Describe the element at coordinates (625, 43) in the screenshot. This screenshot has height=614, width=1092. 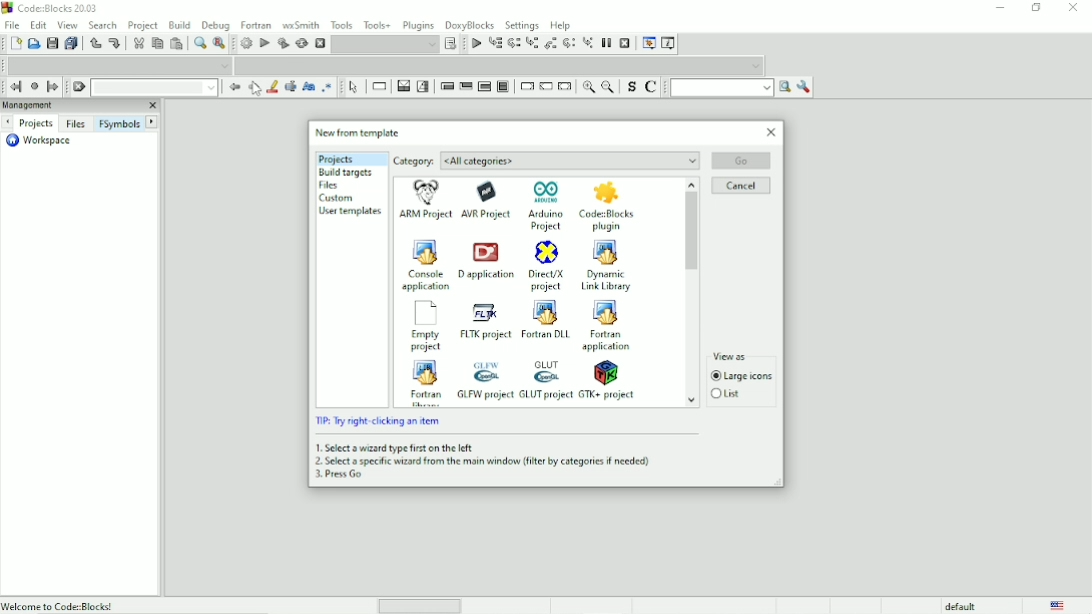
I see `Stop debugger` at that location.